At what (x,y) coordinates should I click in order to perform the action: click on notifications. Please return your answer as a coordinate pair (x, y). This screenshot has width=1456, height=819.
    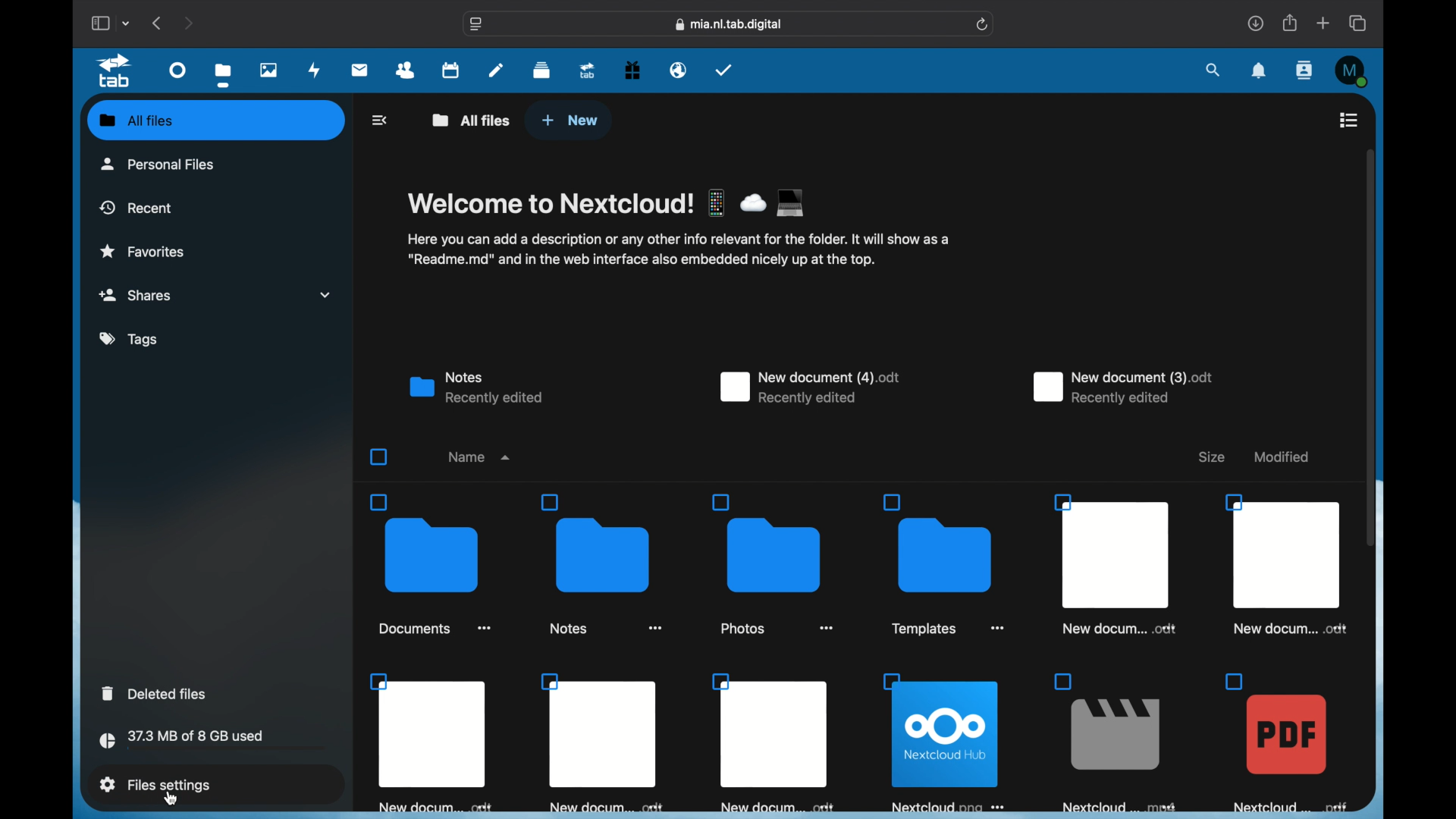
    Looking at the image, I should click on (1259, 71).